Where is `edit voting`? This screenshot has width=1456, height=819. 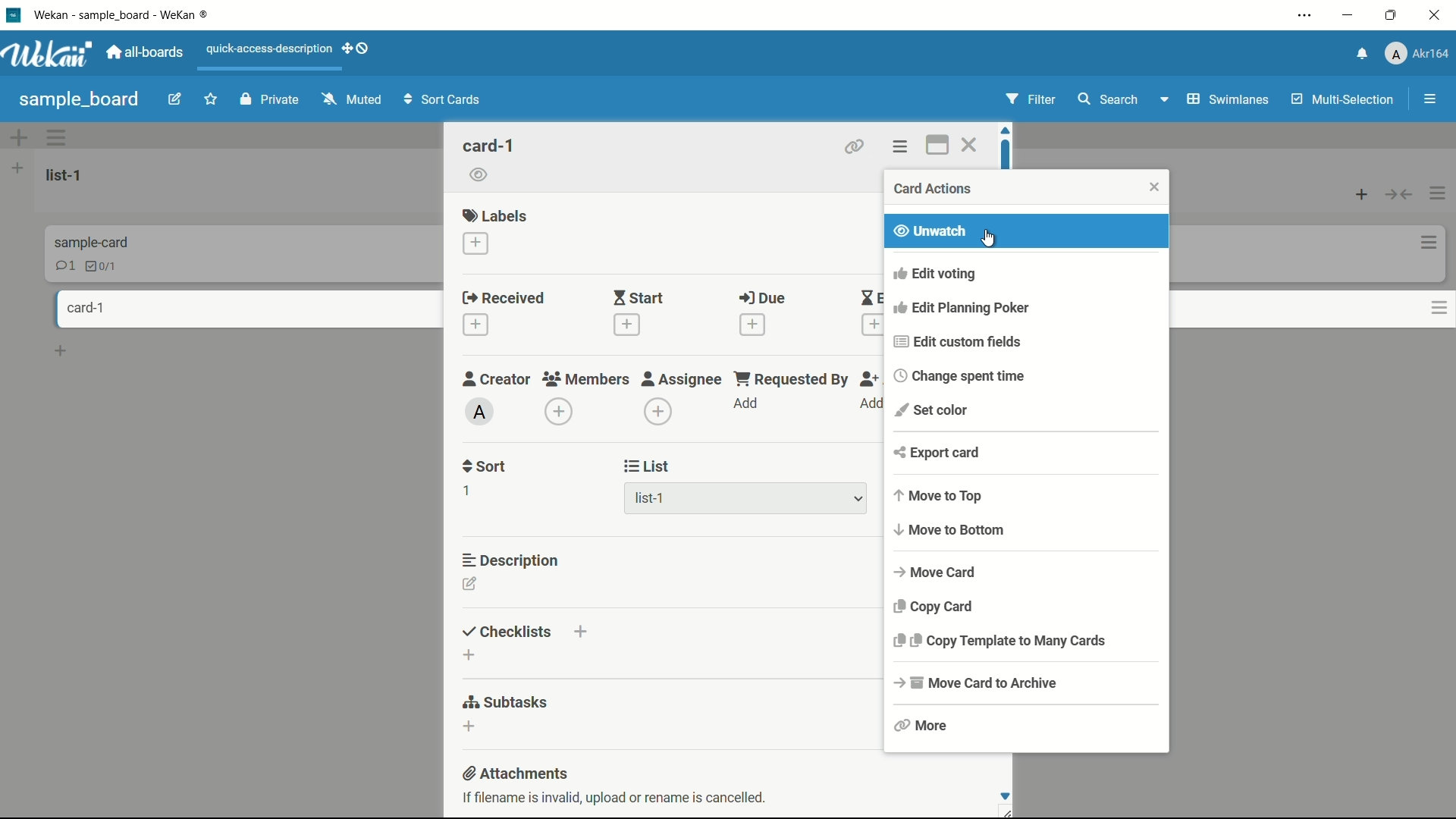 edit voting is located at coordinates (932, 273).